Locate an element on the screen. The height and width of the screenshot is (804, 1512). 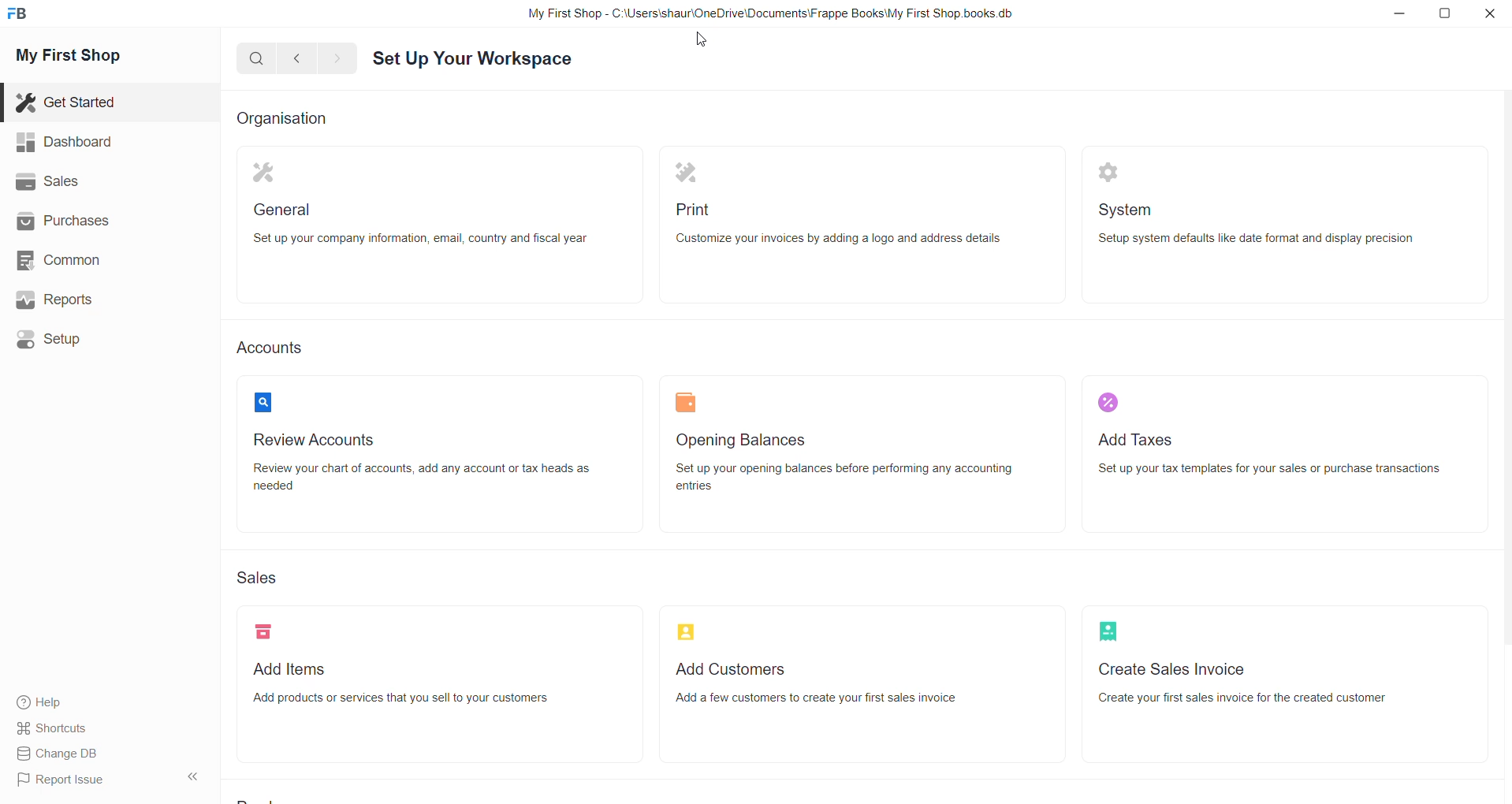
go back is located at coordinates (294, 61).